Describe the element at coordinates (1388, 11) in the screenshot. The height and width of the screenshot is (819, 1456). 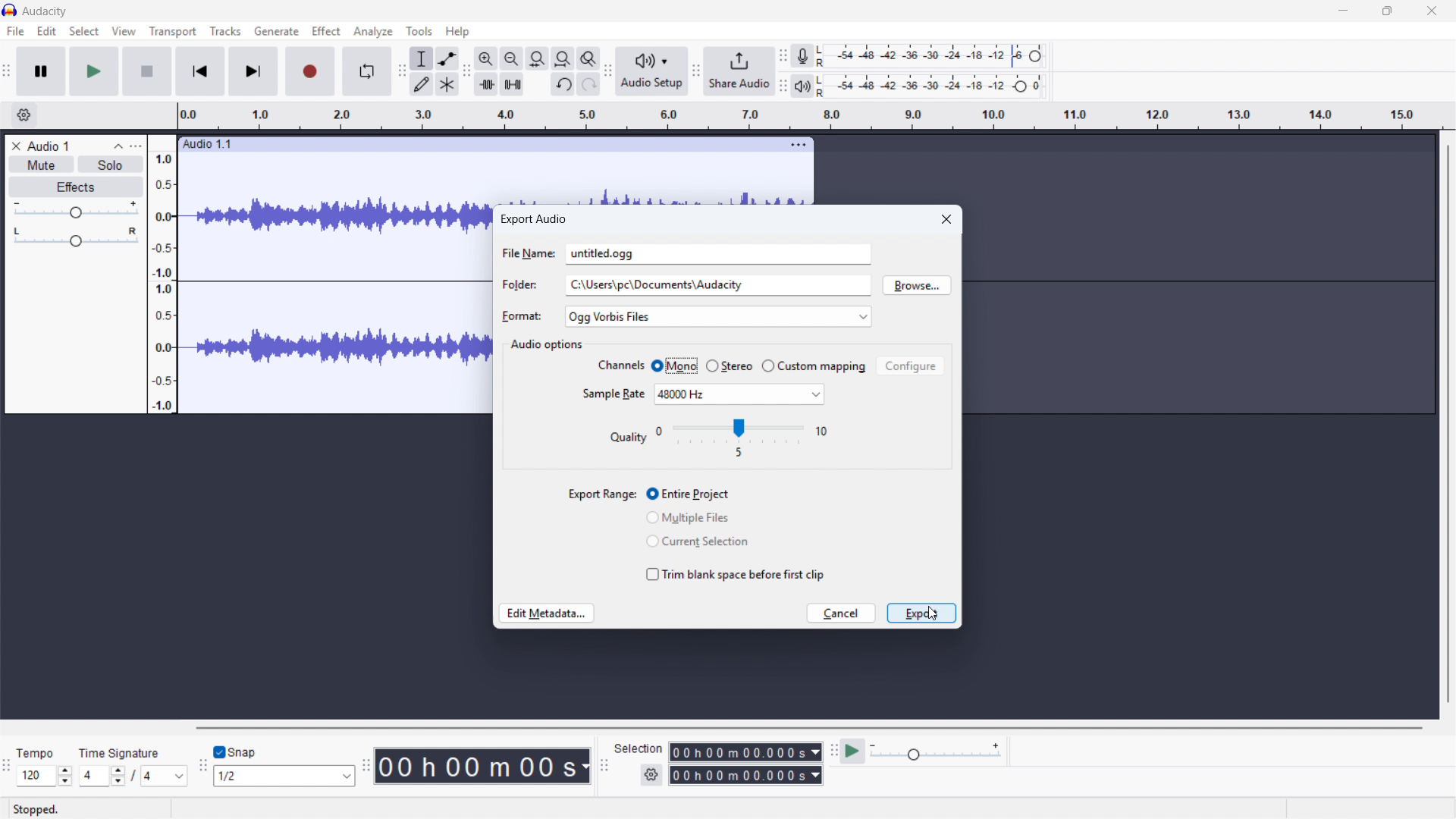
I see `maximise ` at that location.